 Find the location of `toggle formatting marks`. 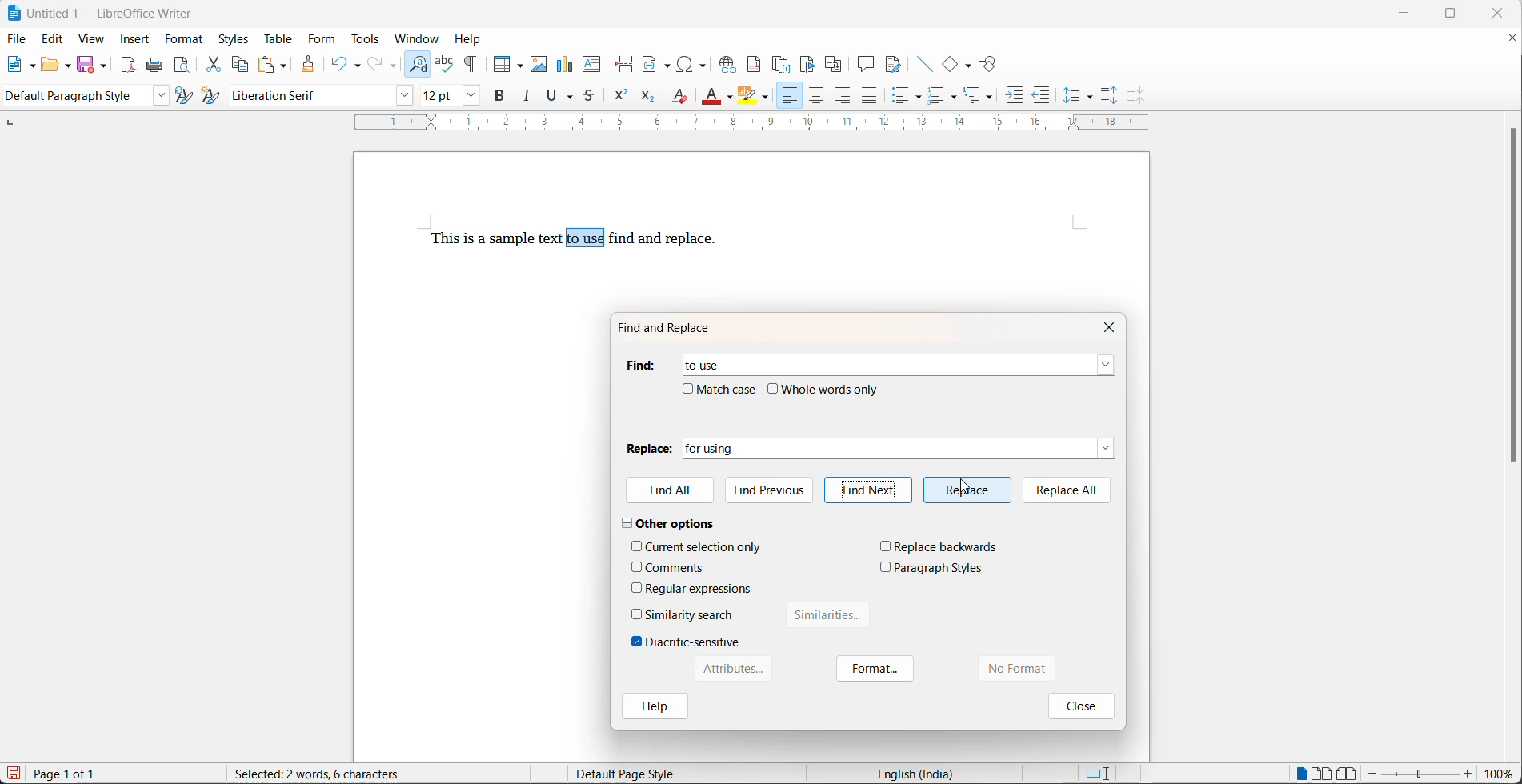

toggle formatting marks is located at coordinates (475, 59).